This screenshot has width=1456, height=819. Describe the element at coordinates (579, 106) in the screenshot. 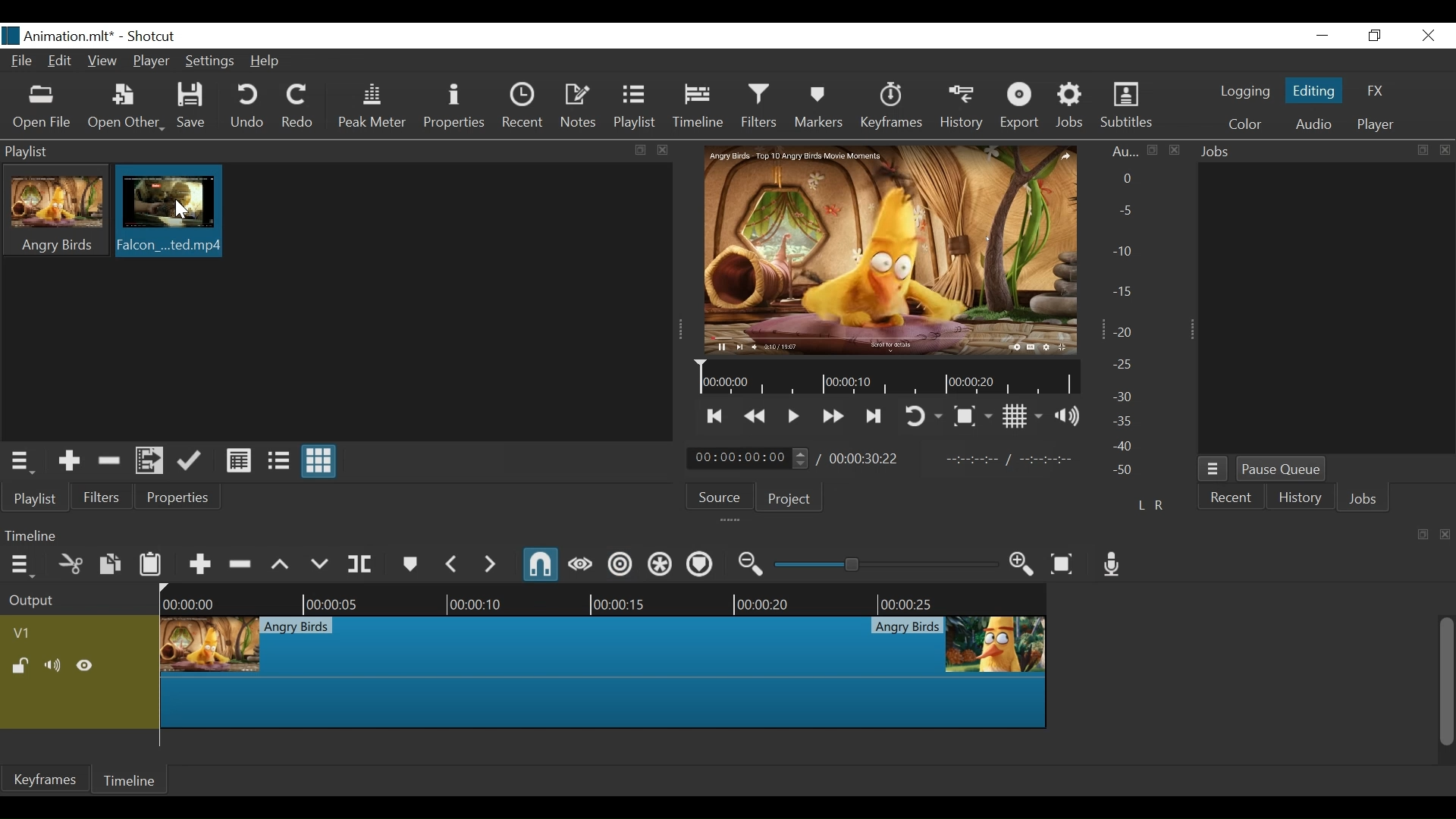

I see `Notes` at that location.